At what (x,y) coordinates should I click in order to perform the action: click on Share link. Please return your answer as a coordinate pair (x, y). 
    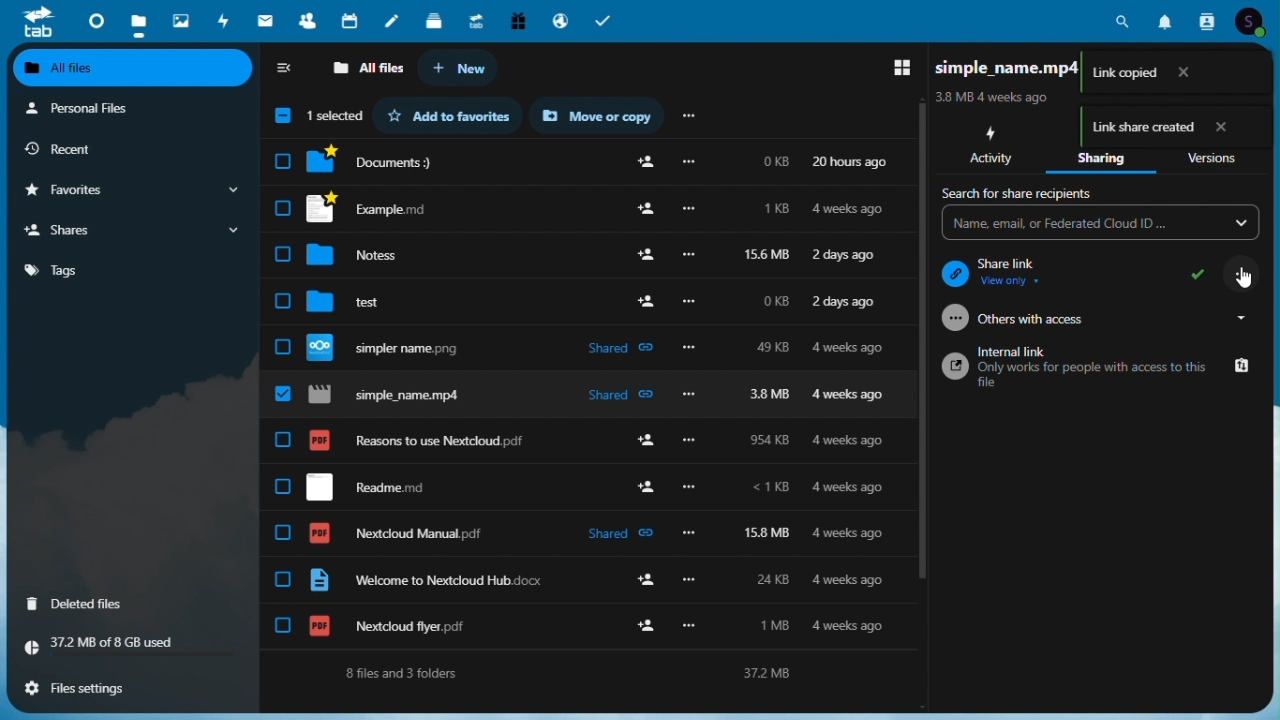
    Looking at the image, I should click on (1100, 273).